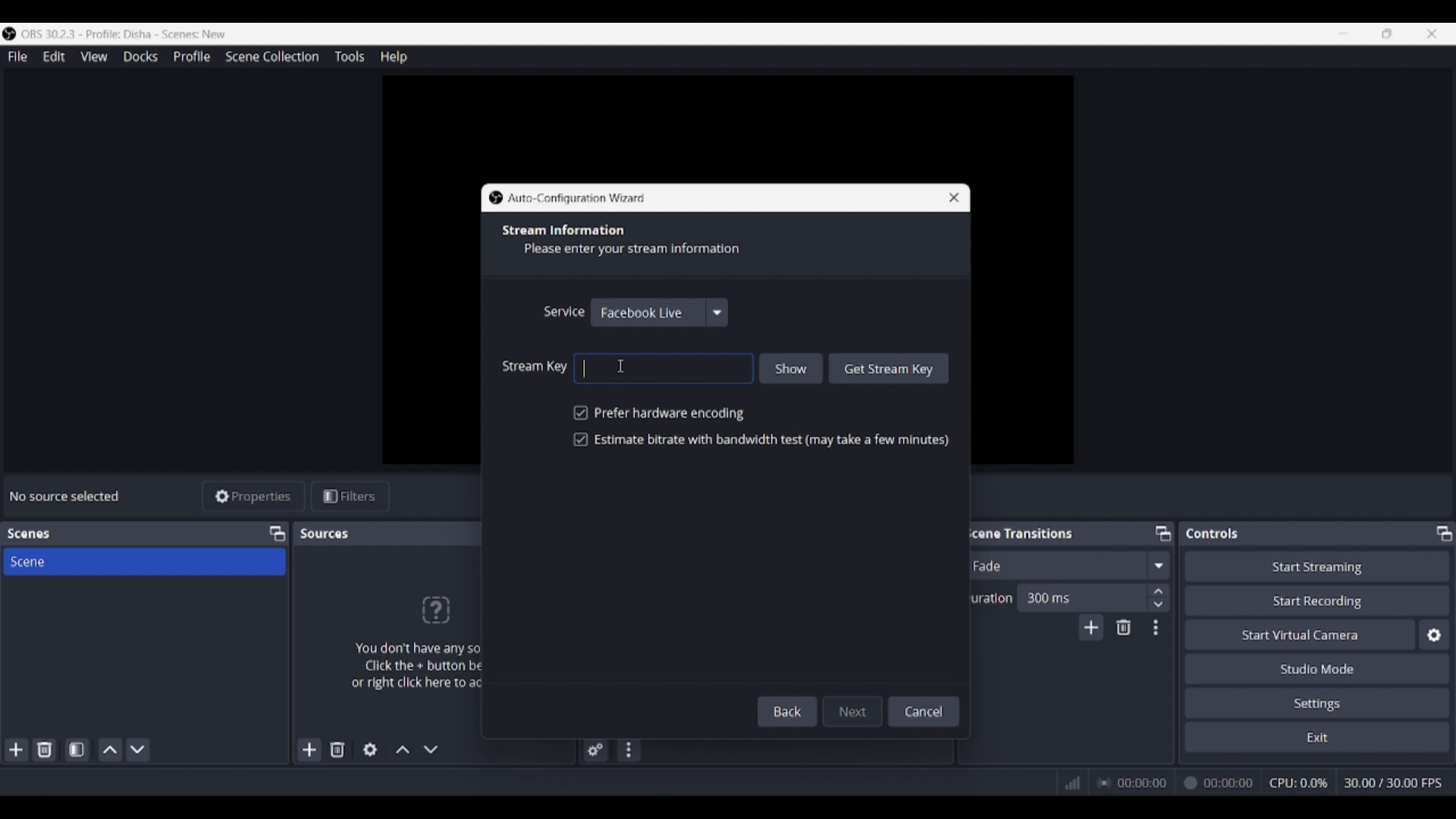 The height and width of the screenshot is (819, 1456). What do you see at coordinates (890, 368) in the screenshot?
I see `Get stream key` at bounding box center [890, 368].